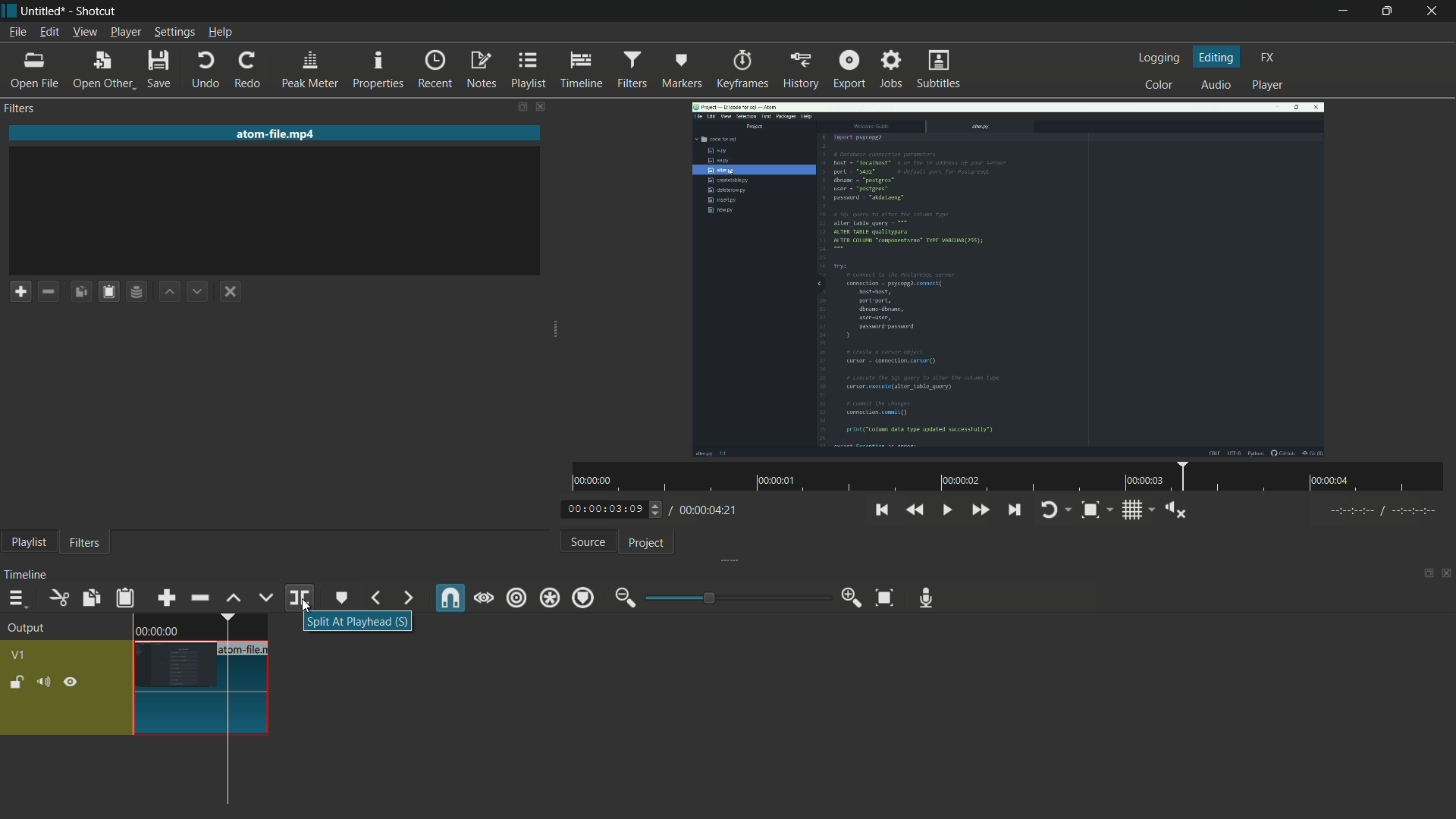  Describe the element at coordinates (175, 33) in the screenshot. I see `settings menu` at that location.